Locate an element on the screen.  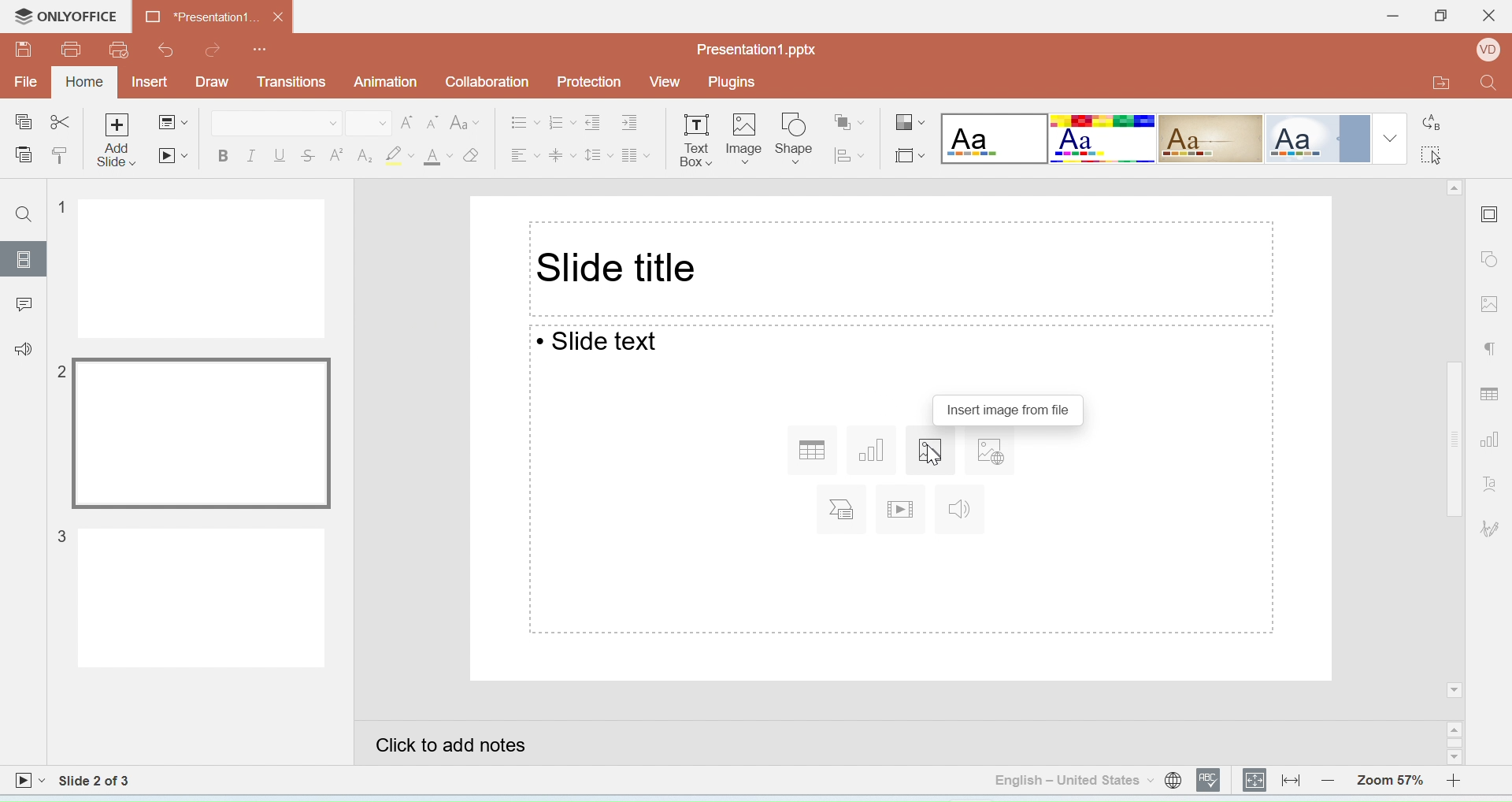
Chart settings is located at coordinates (1494, 441).